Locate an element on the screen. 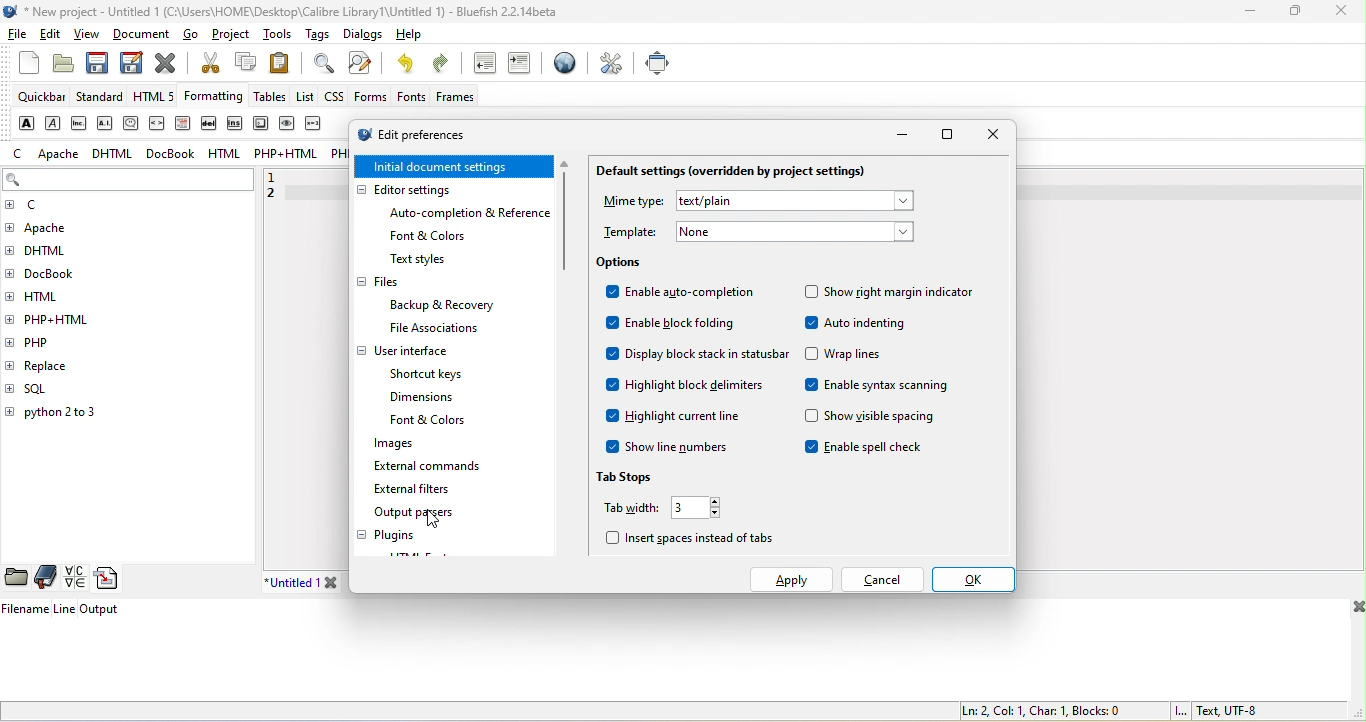 The image size is (1366, 722). maximize is located at coordinates (948, 137).